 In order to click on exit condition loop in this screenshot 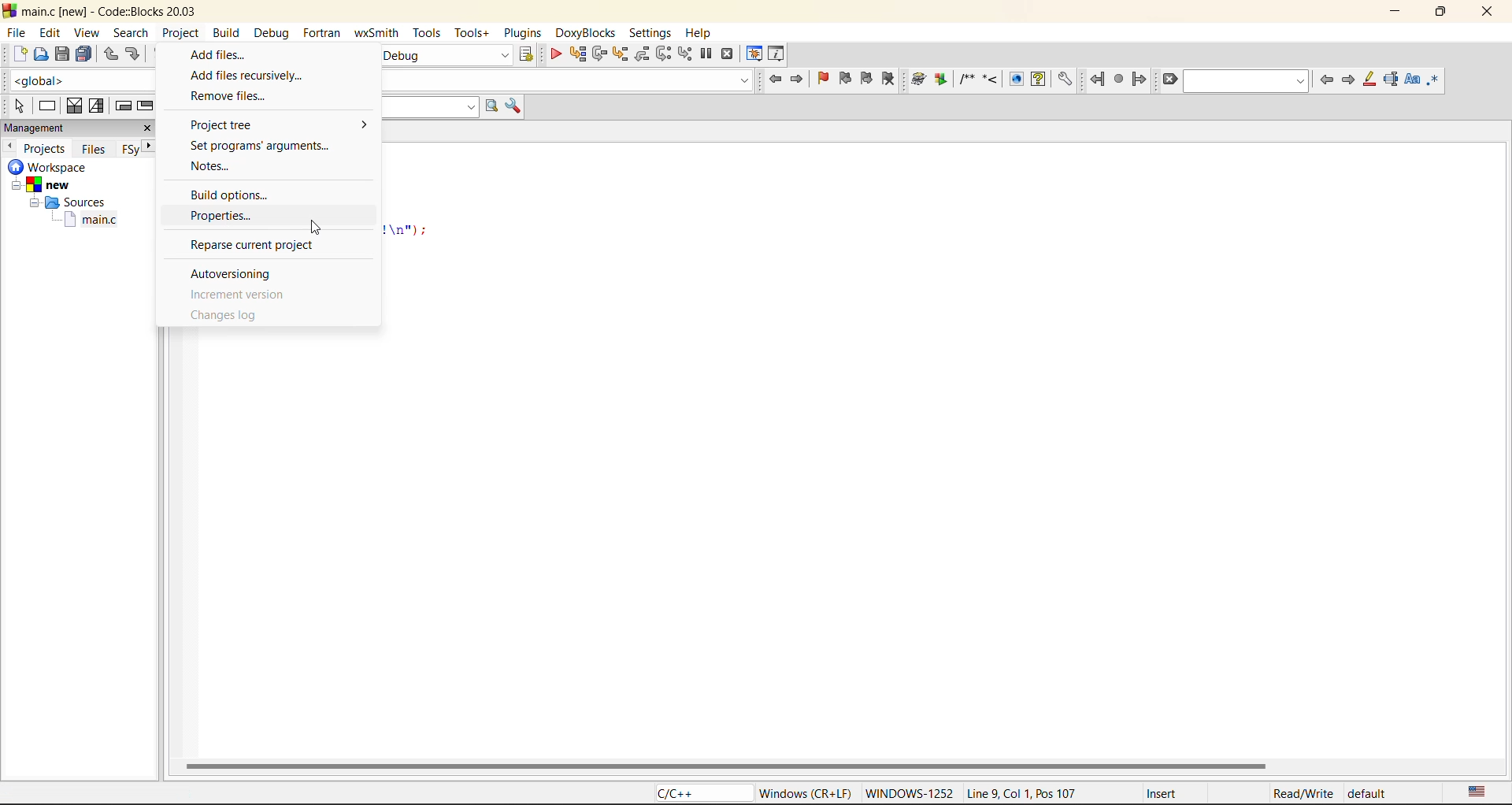, I will do `click(146, 106)`.